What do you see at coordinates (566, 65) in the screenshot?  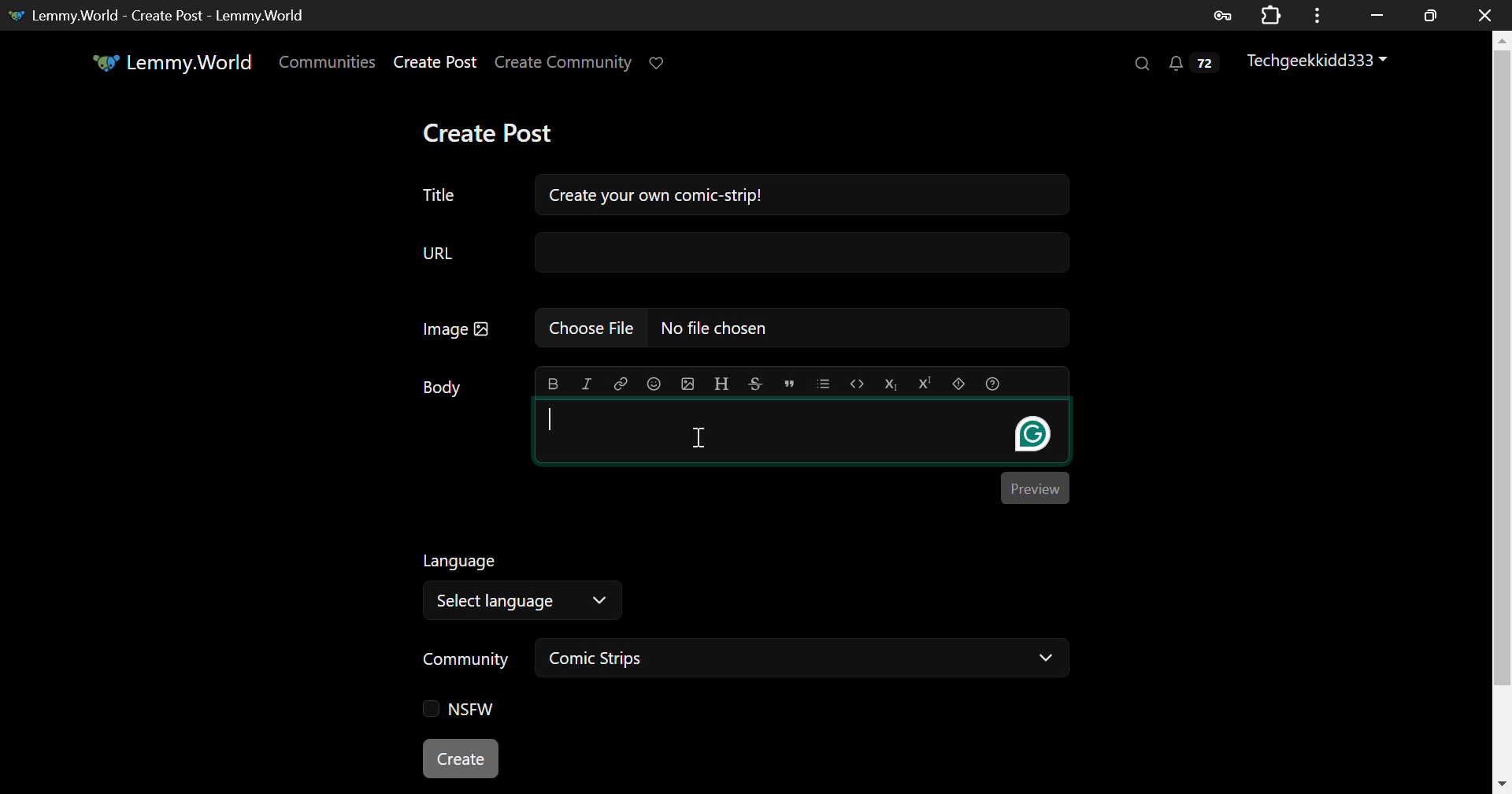 I see `Create Community Link` at bounding box center [566, 65].